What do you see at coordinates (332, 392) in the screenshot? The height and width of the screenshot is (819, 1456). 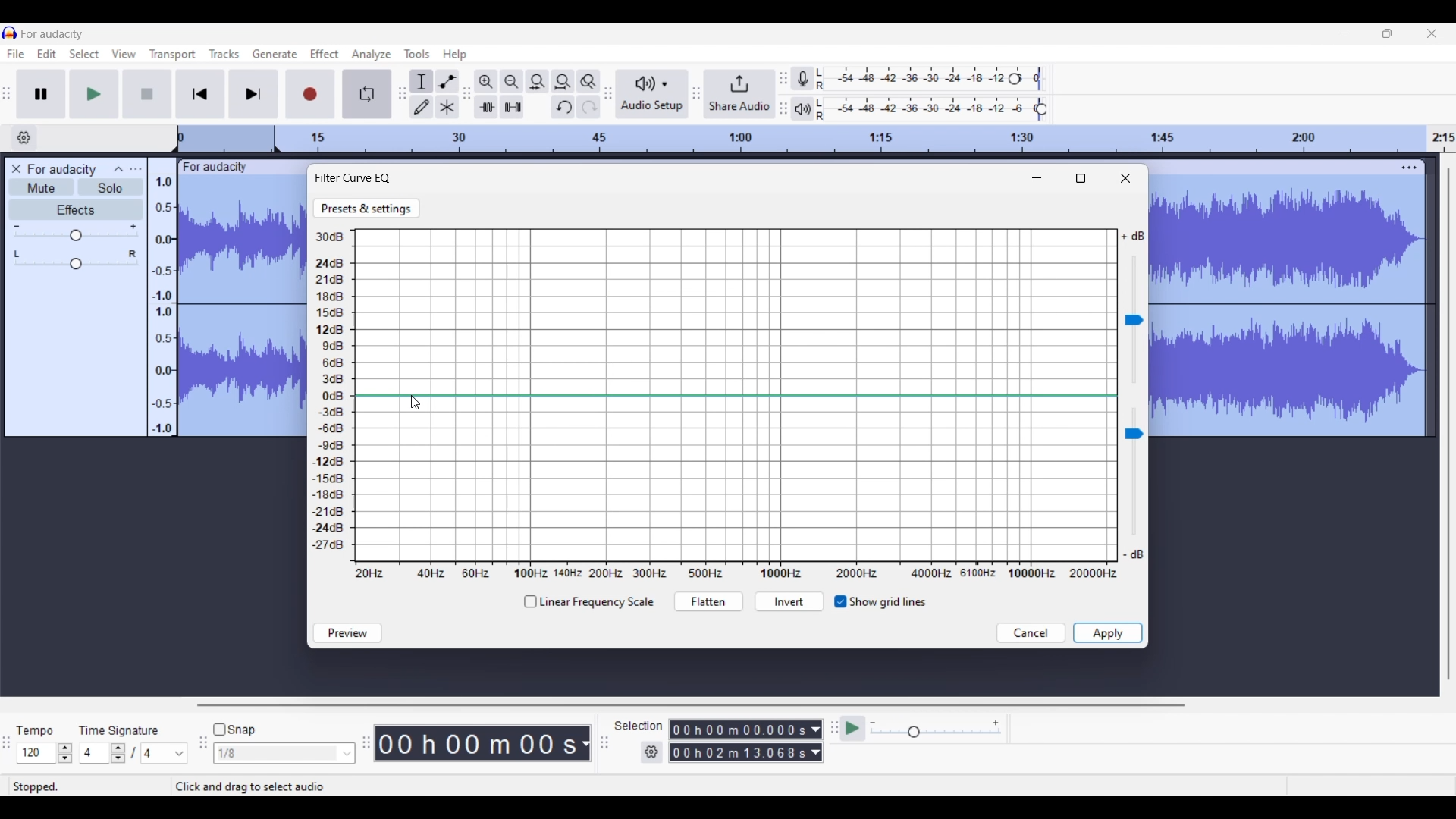 I see `Y axis representing Decibel` at bounding box center [332, 392].